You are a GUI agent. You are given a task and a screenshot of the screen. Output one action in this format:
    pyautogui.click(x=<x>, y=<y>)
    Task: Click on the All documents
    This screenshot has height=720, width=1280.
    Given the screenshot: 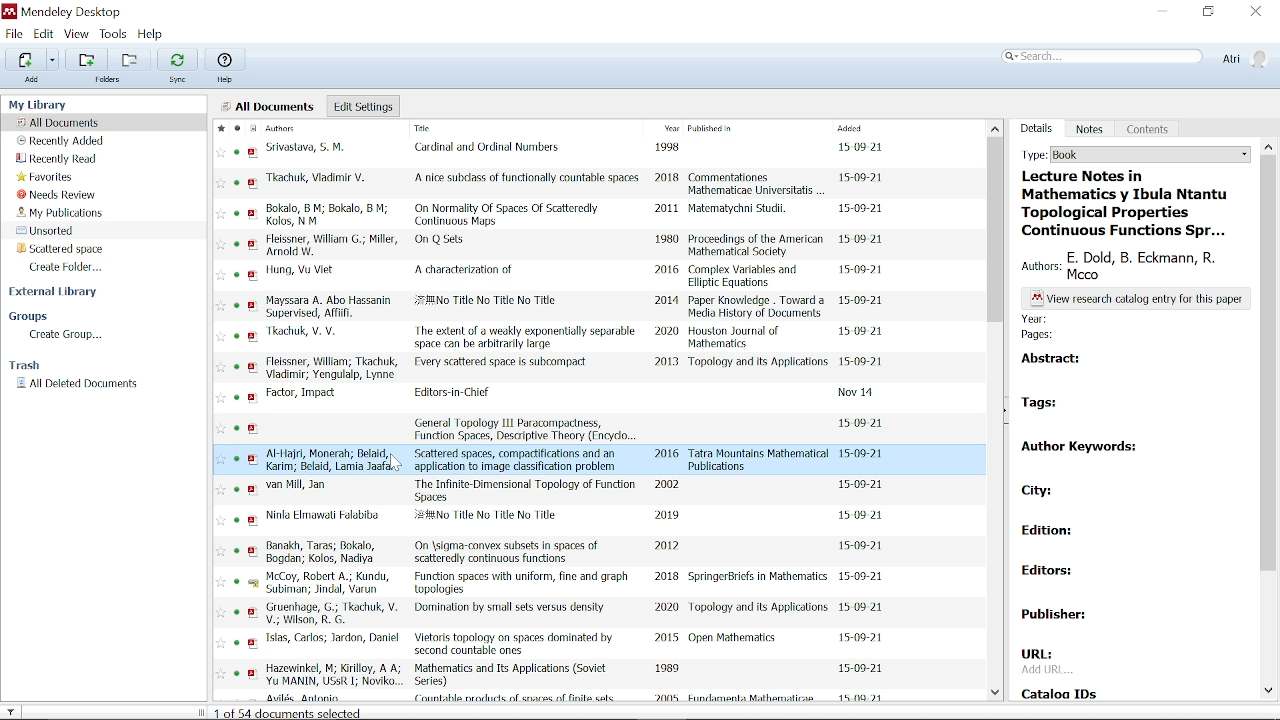 What is the action you would take?
    pyautogui.click(x=60, y=122)
    